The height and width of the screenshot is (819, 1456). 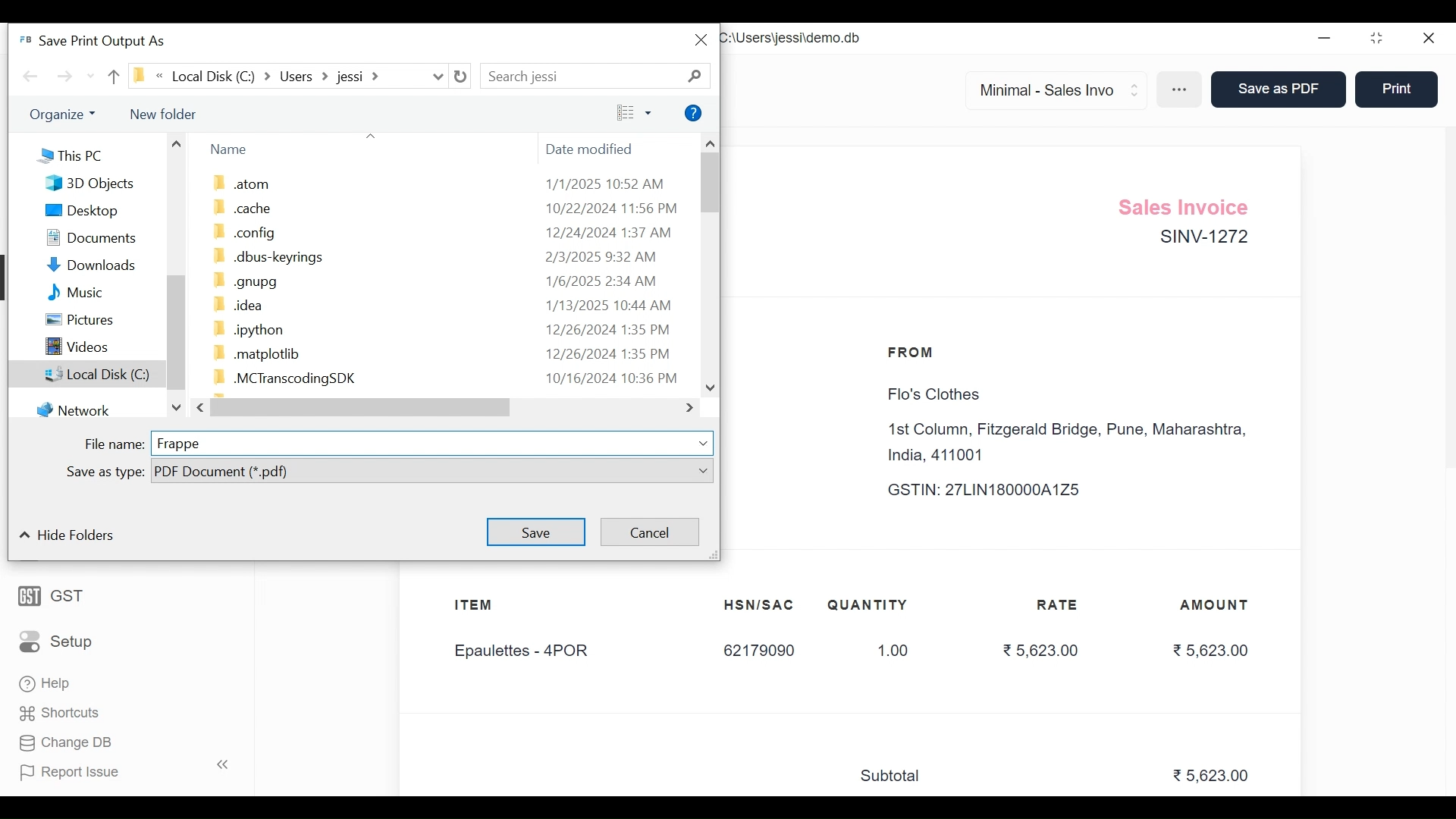 What do you see at coordinates (1216, 606) in the screenshot?
I see `AMOUNT` at bounding box center [1216, 606].